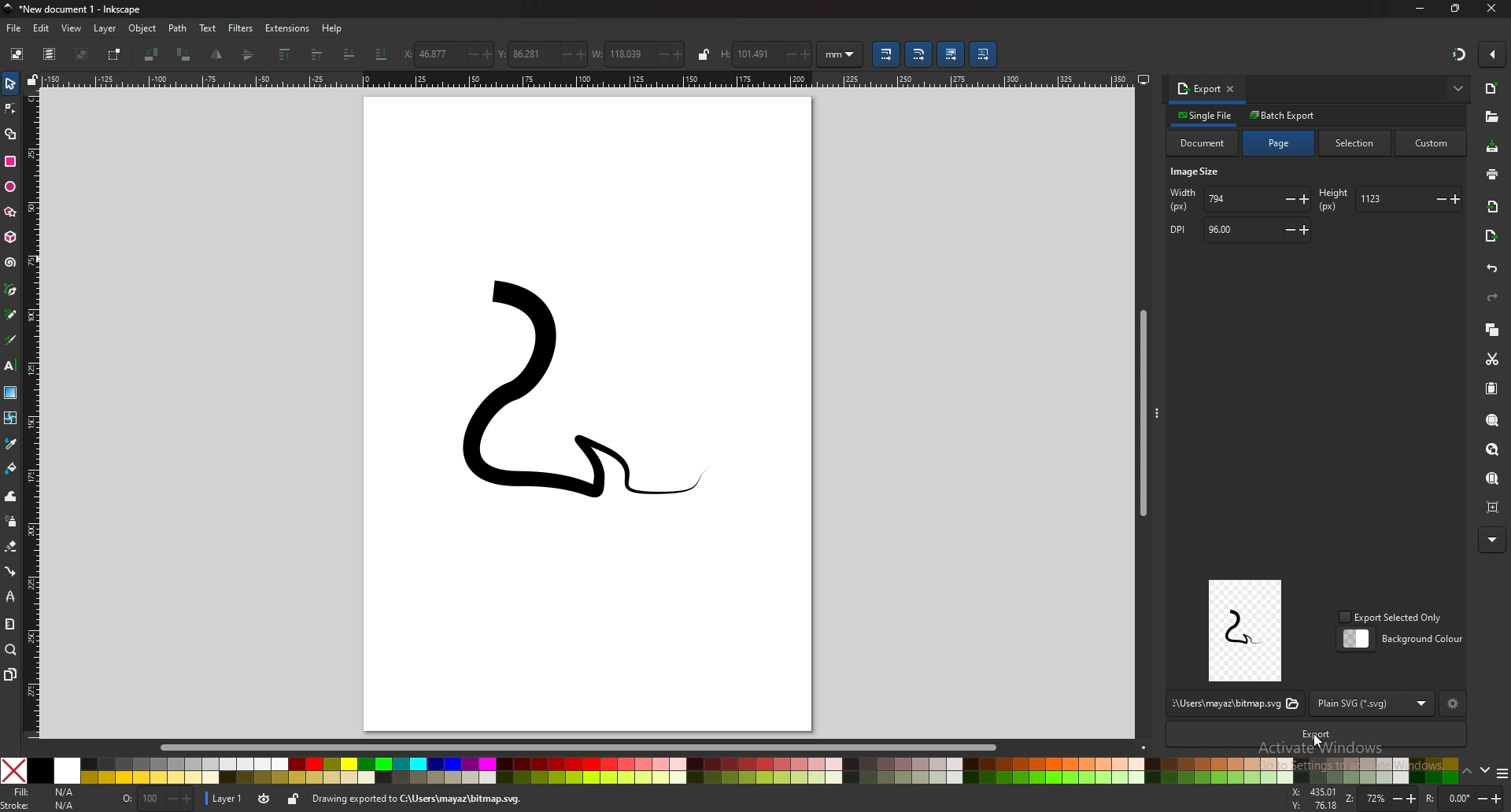 This screenshot has height=812, width=1511. Describe the element at coordinates (1493, 269) in the screenshot. I see `undo` at that location.